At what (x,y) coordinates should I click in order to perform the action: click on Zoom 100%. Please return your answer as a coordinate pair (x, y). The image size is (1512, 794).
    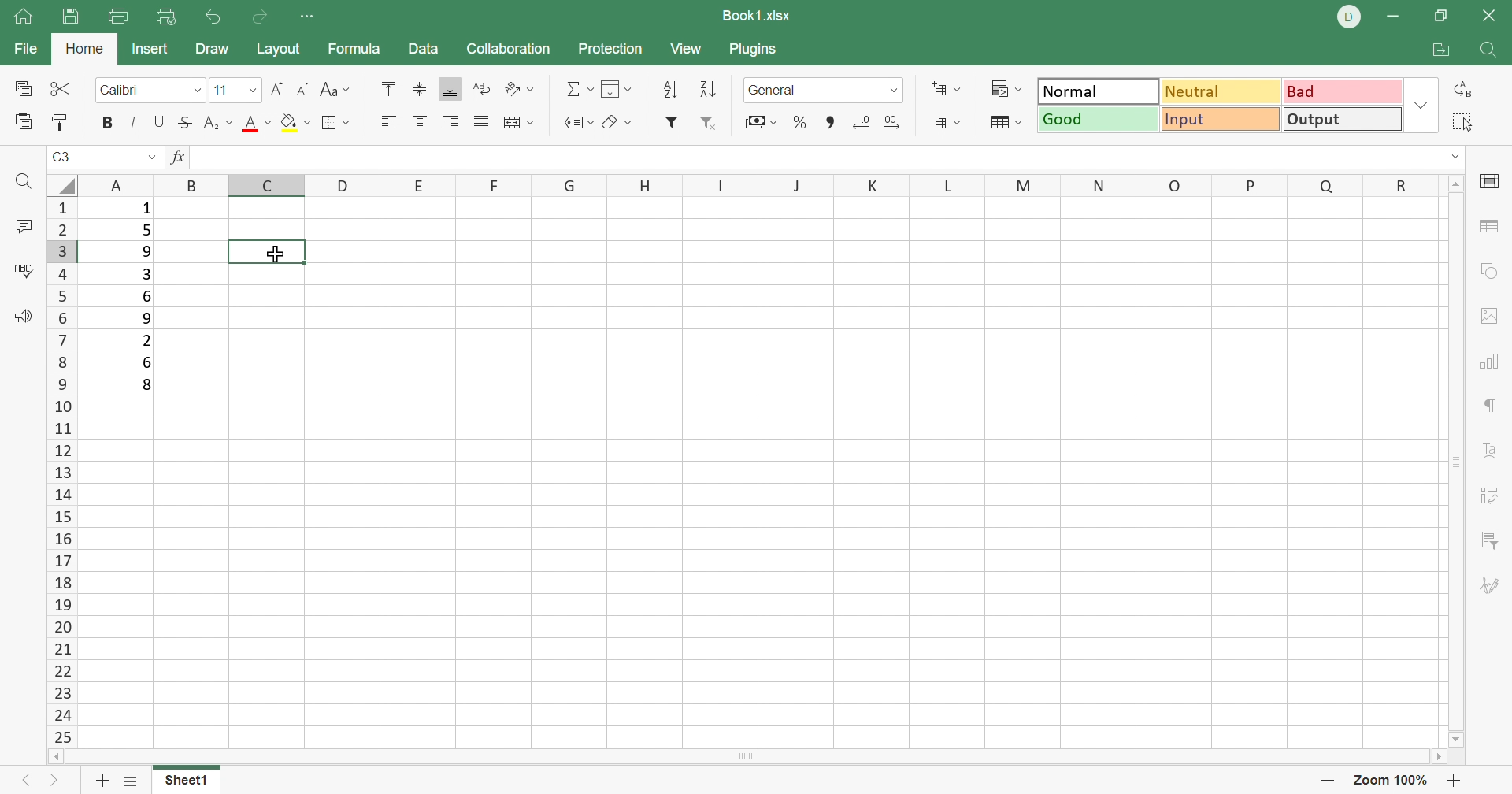
    Looking at the image, I should click on (1390, 781).